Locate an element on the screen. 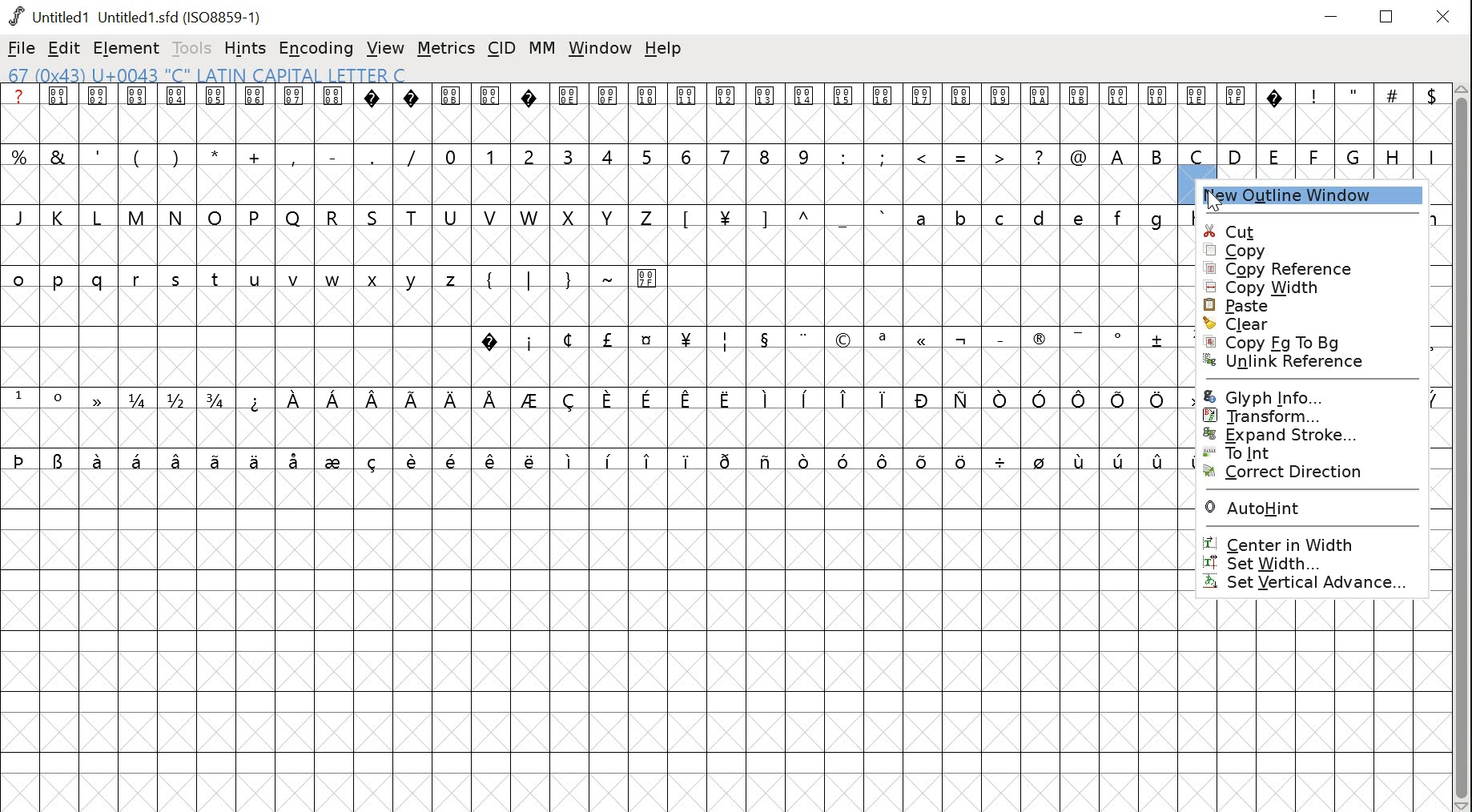 The image size is (1472, 812). window is located at coordinates (601, 51).